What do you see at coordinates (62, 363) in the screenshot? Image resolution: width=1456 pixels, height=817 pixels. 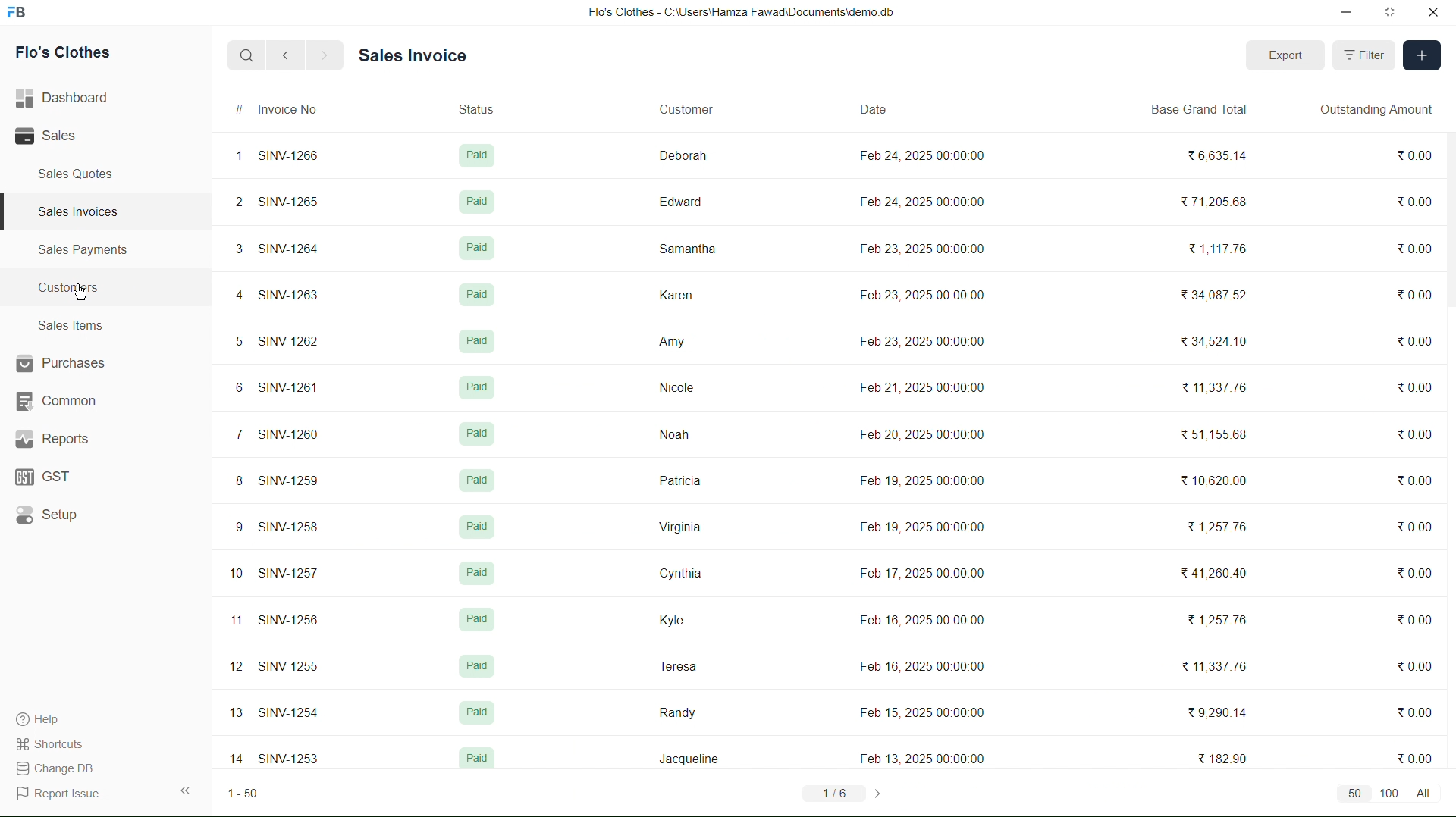 I see `Purchases` at bounding box center [62, 363].